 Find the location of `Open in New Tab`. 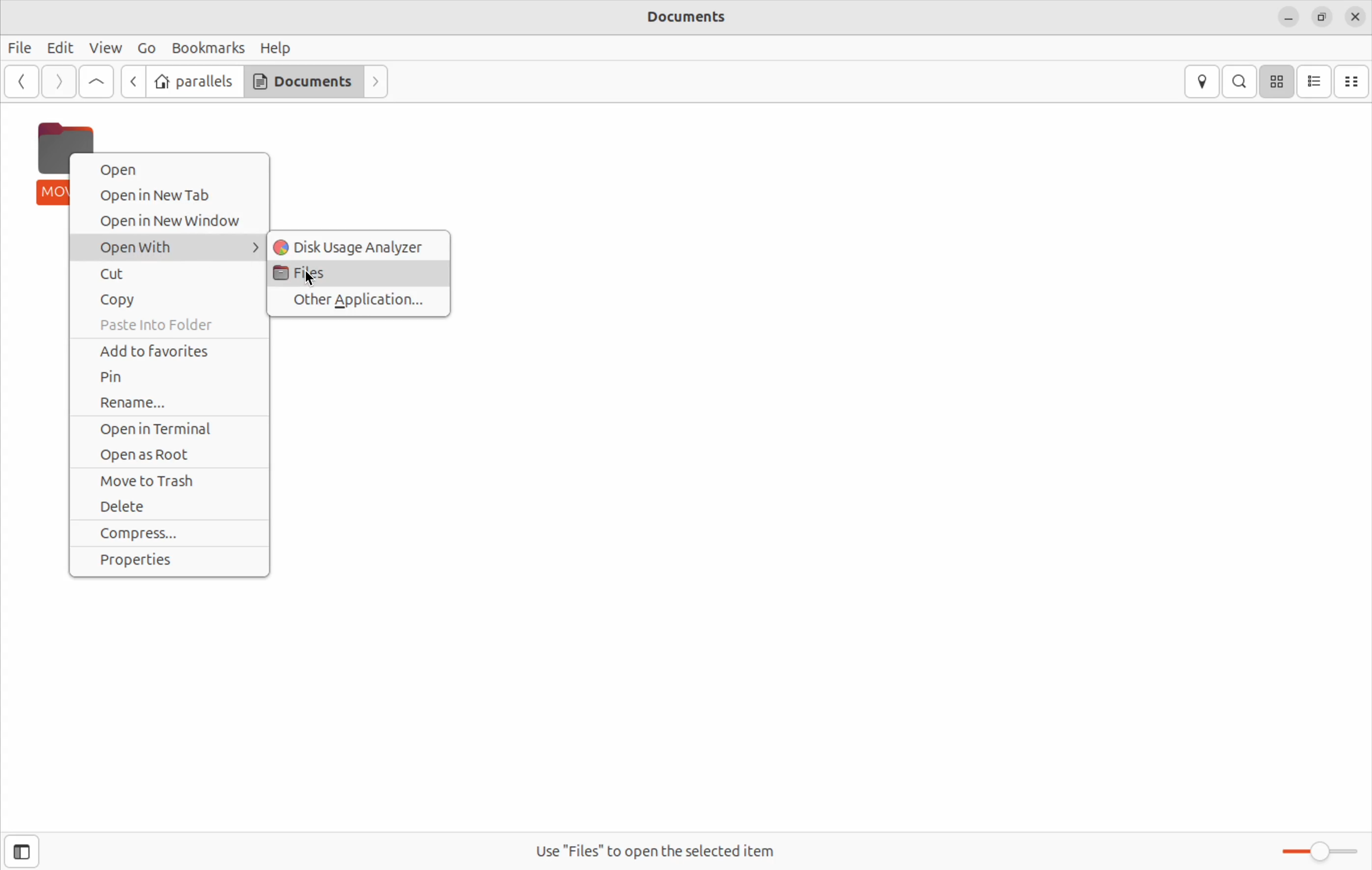

Open in New Tab is located at coordinates (170, 197).